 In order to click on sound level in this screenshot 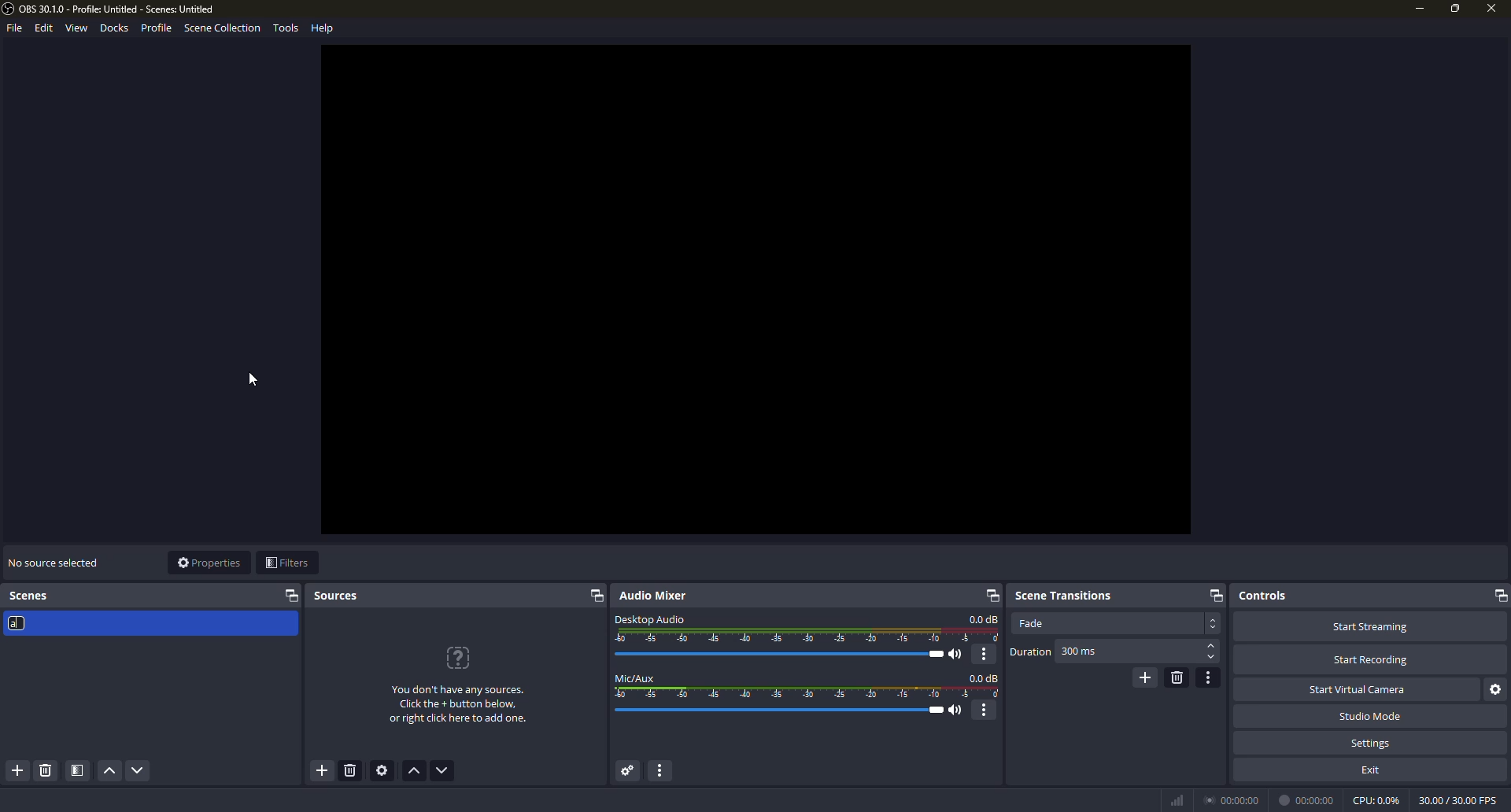, I will do `click(783, 710)`.